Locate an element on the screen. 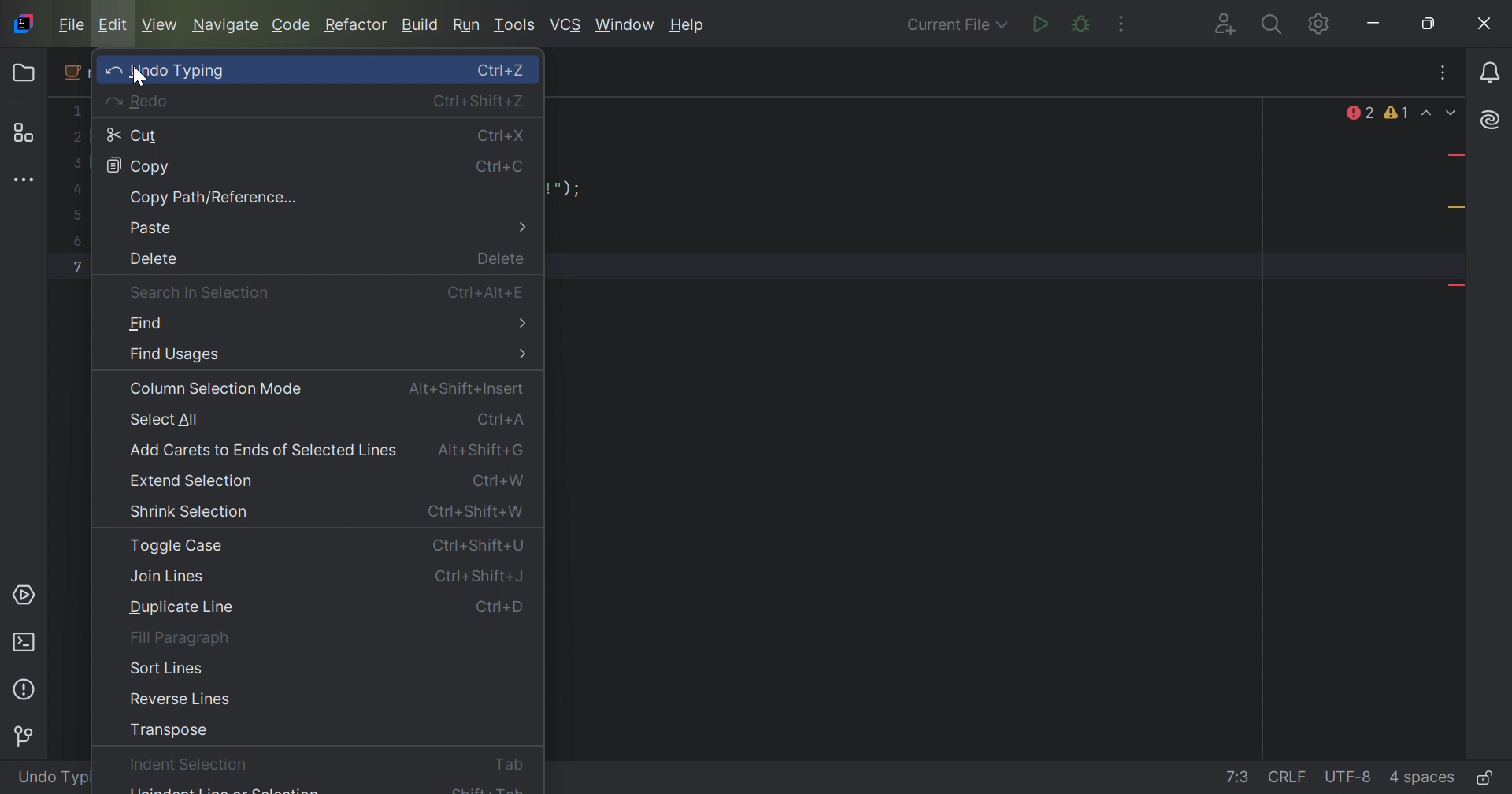 The image size is (1512, 794). 6 is located at coordinates (79, 243).